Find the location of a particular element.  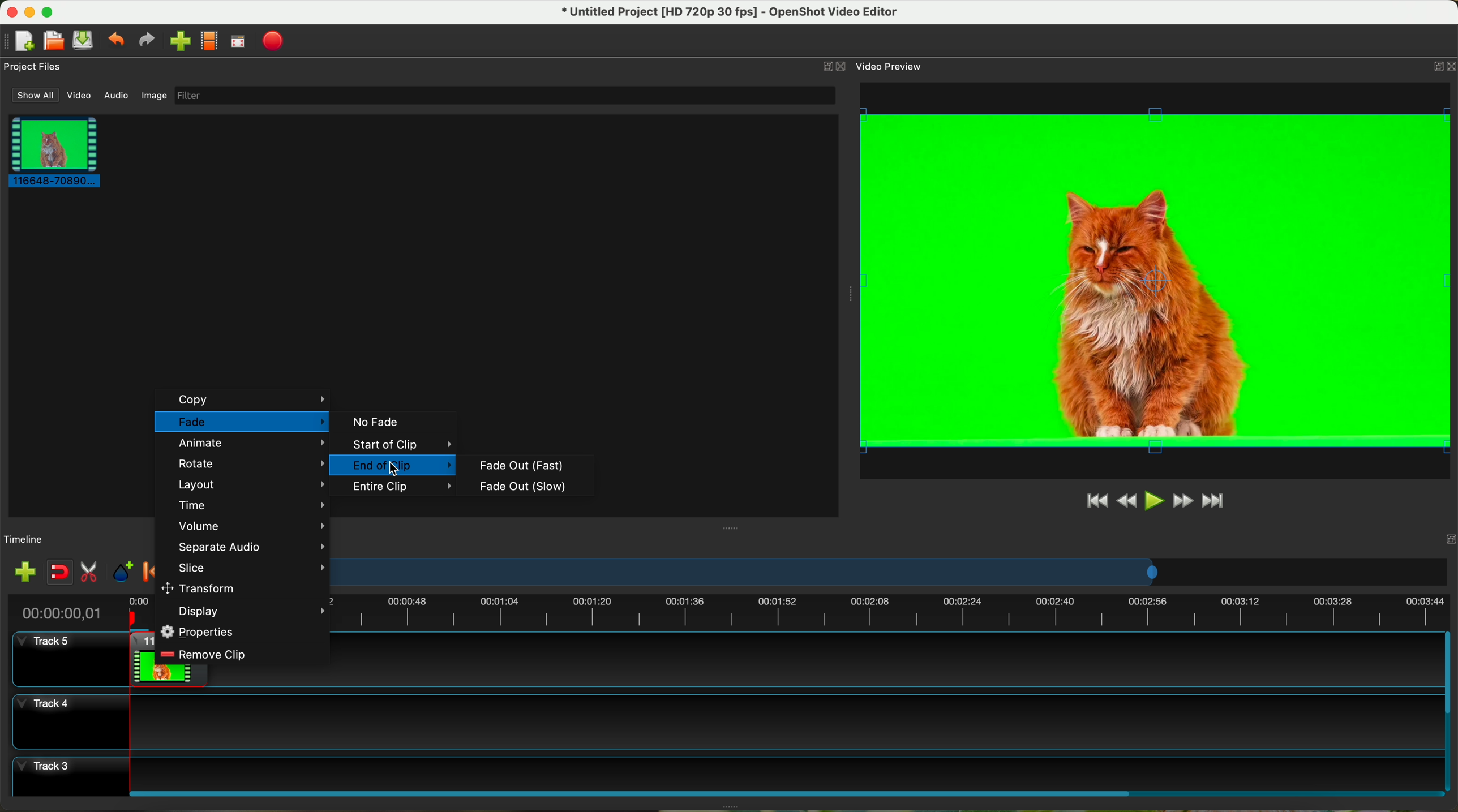

scroll bar is located at coordinates (1449, 711).